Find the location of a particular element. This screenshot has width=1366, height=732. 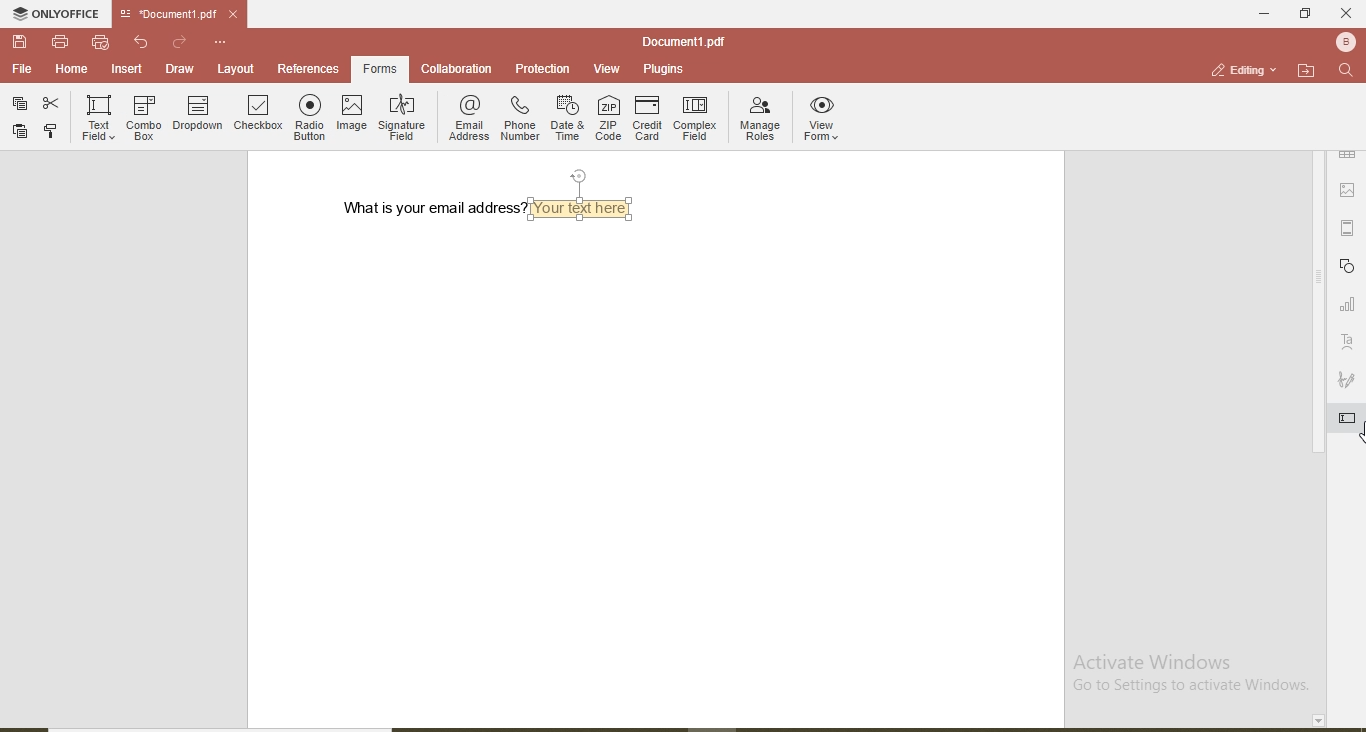

signature field is located at coordinates (403, 118).